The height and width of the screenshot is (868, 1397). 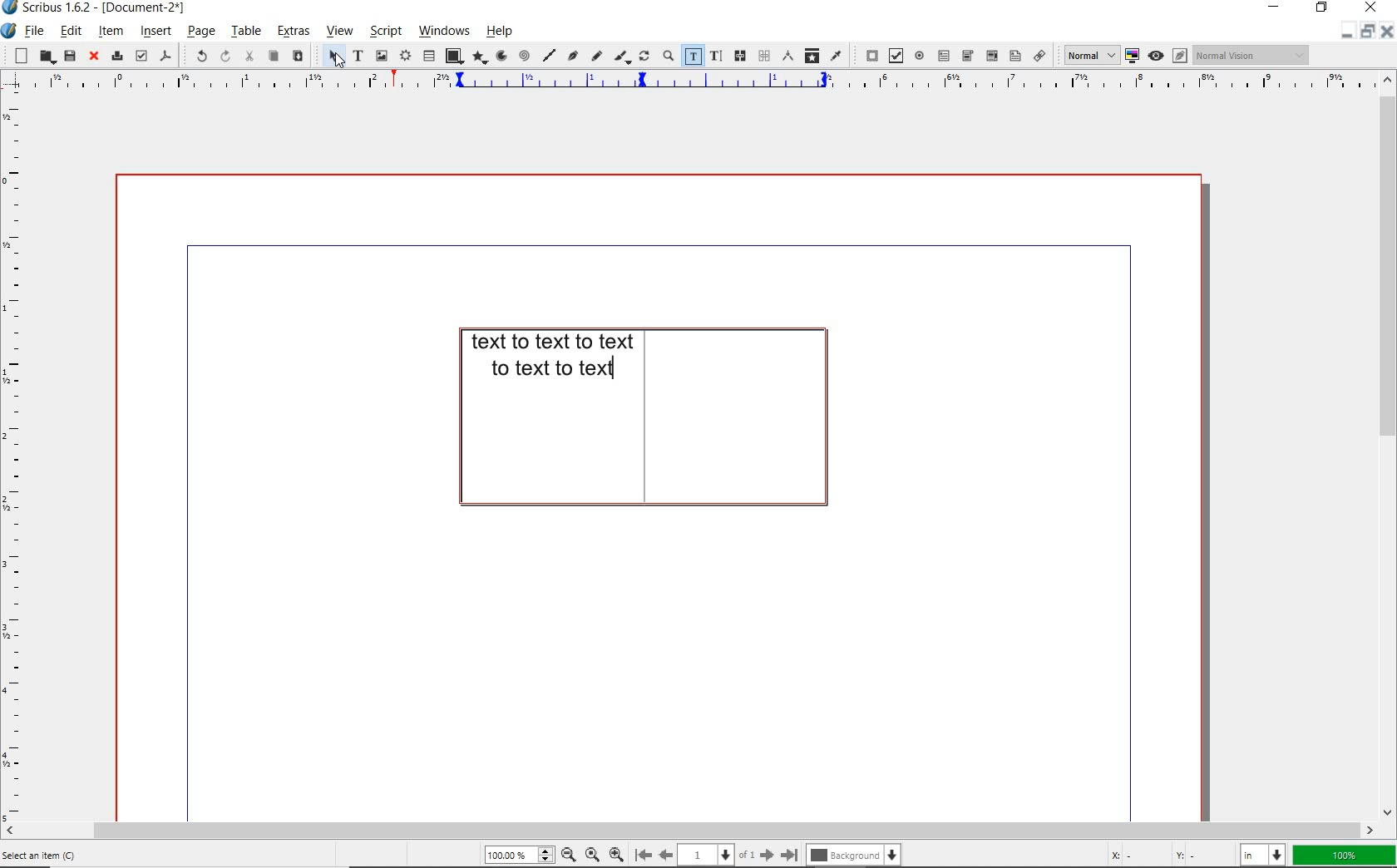 I want to click on minimize, so click(x=1276, y=8).